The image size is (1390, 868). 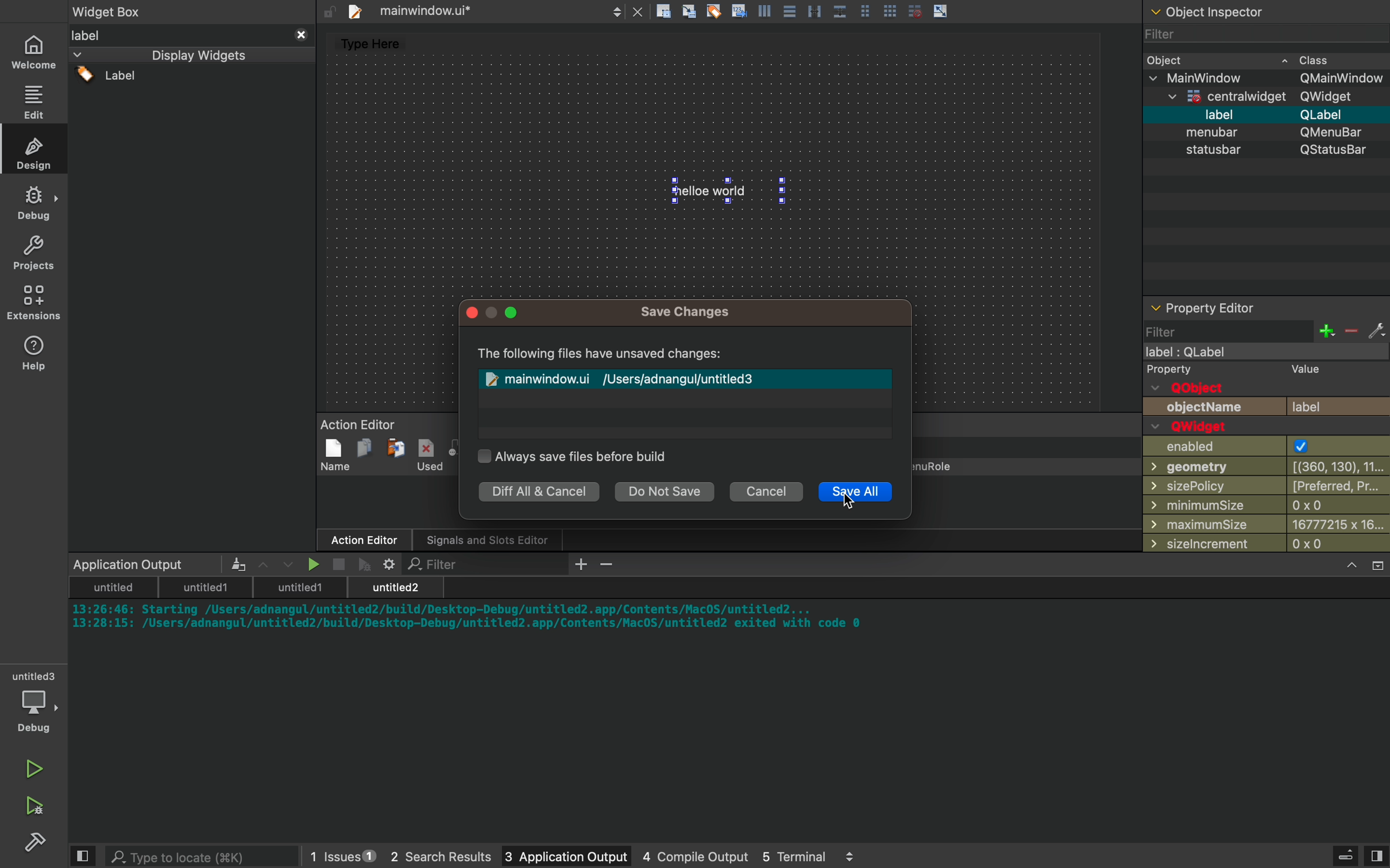 I want to click on 1 issues, so click(x=335, y=854).